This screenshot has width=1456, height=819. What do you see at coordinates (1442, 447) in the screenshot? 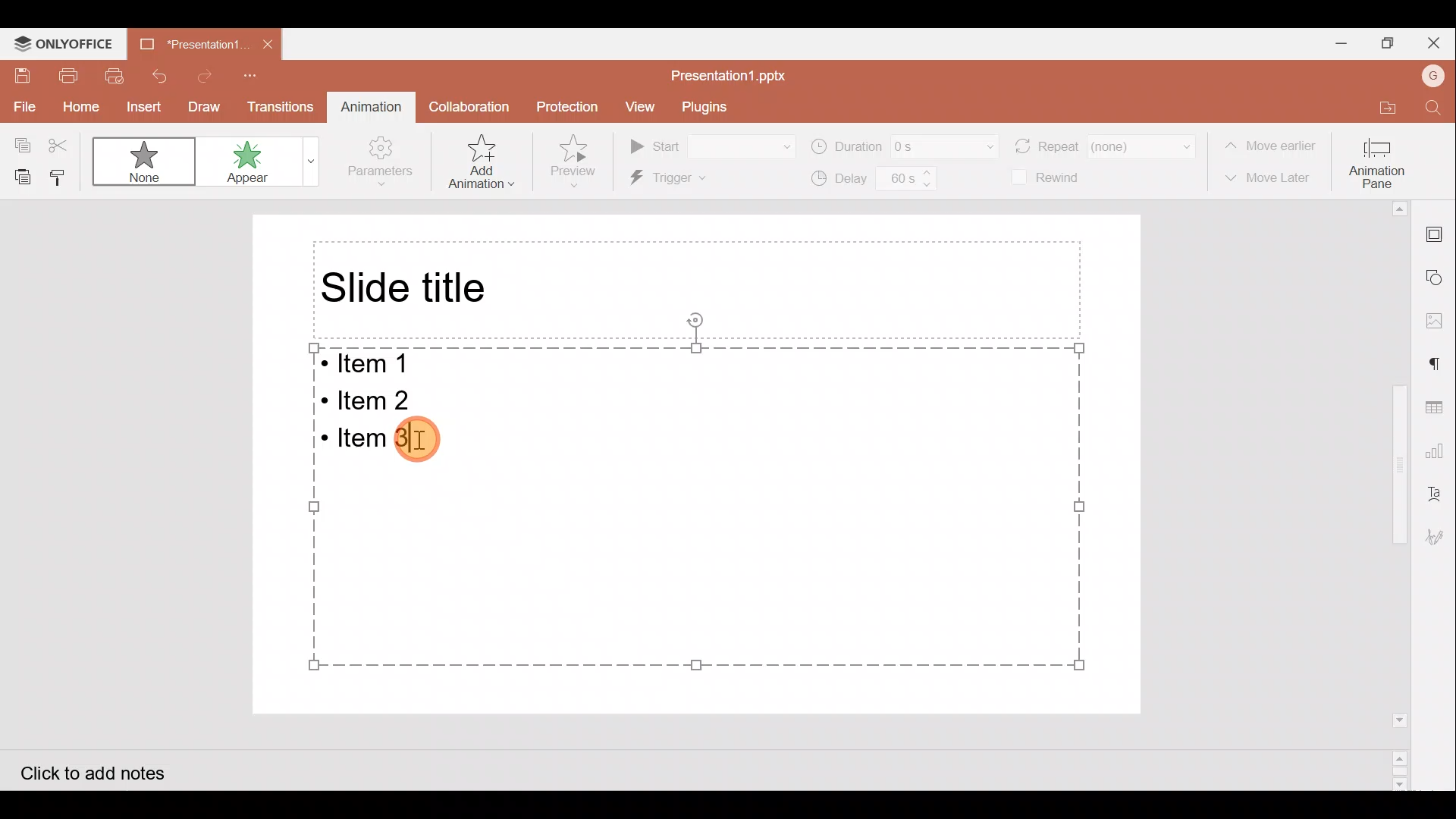
I see `Chart settings` at bounding box center [1442, 447].